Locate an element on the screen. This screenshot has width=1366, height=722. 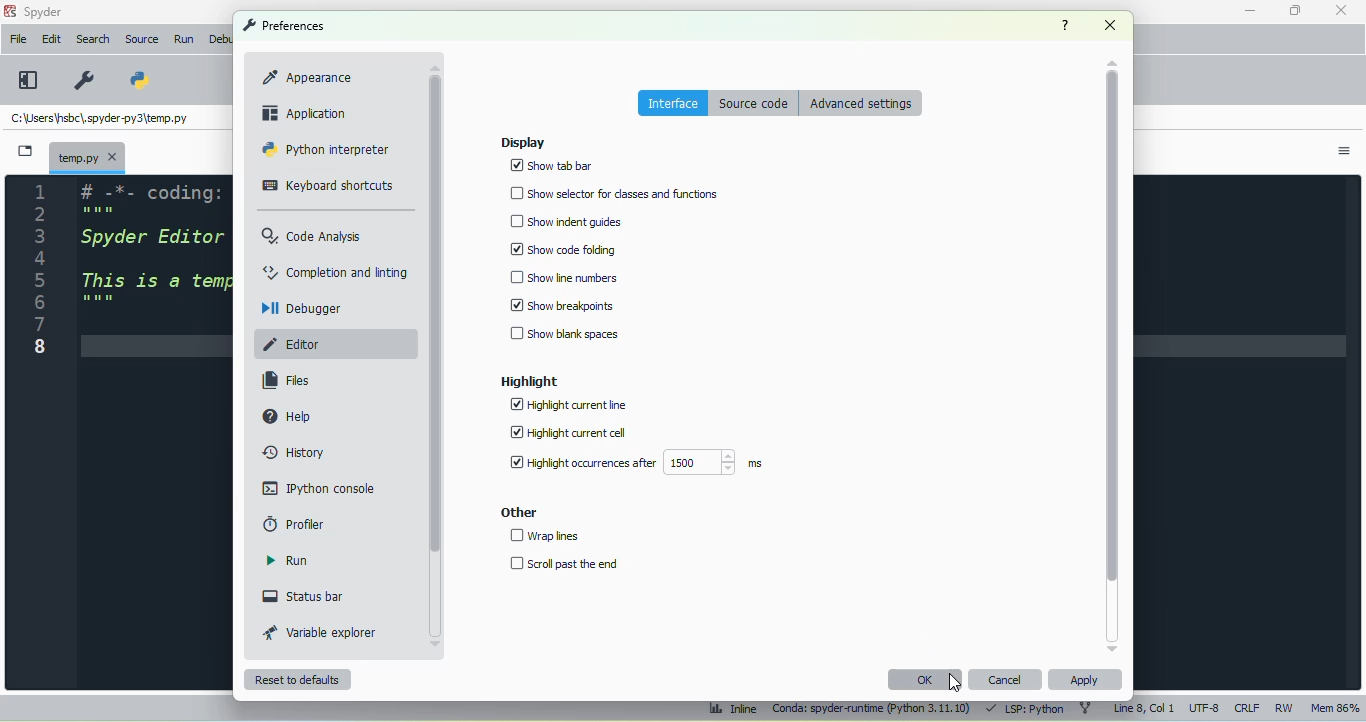
code analysis is located at coordinates (313, 236).